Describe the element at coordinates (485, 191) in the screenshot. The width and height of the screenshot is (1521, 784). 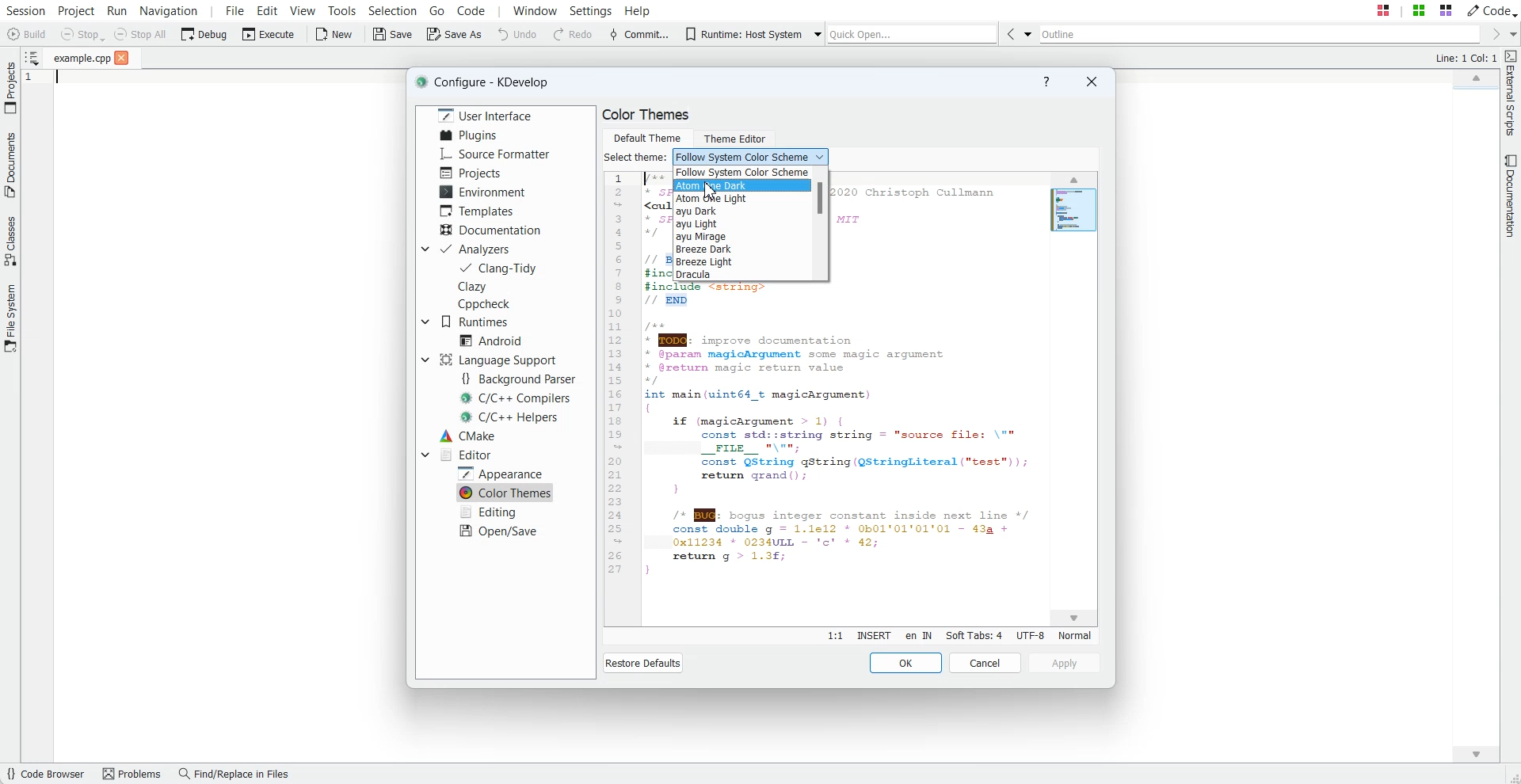
I see `Environment` at that location.